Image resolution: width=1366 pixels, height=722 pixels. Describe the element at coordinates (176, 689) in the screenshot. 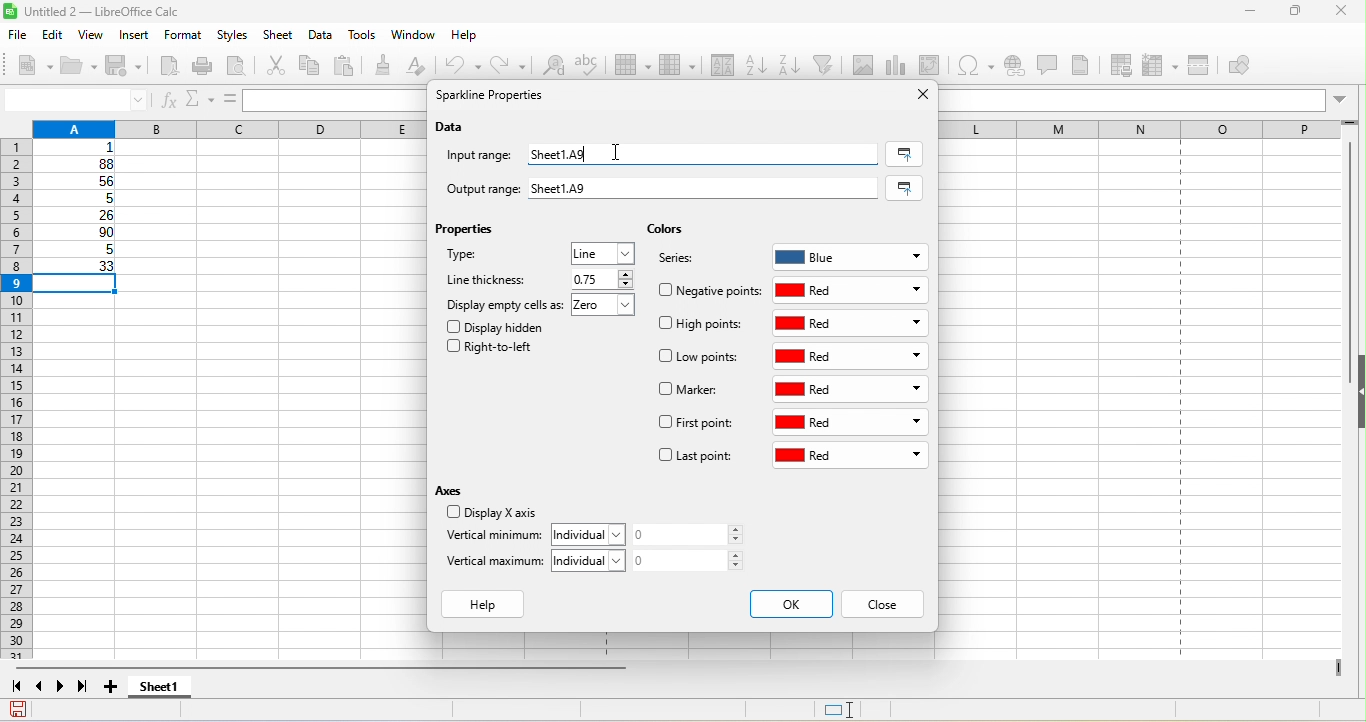

I see `sheet 1` at that location.